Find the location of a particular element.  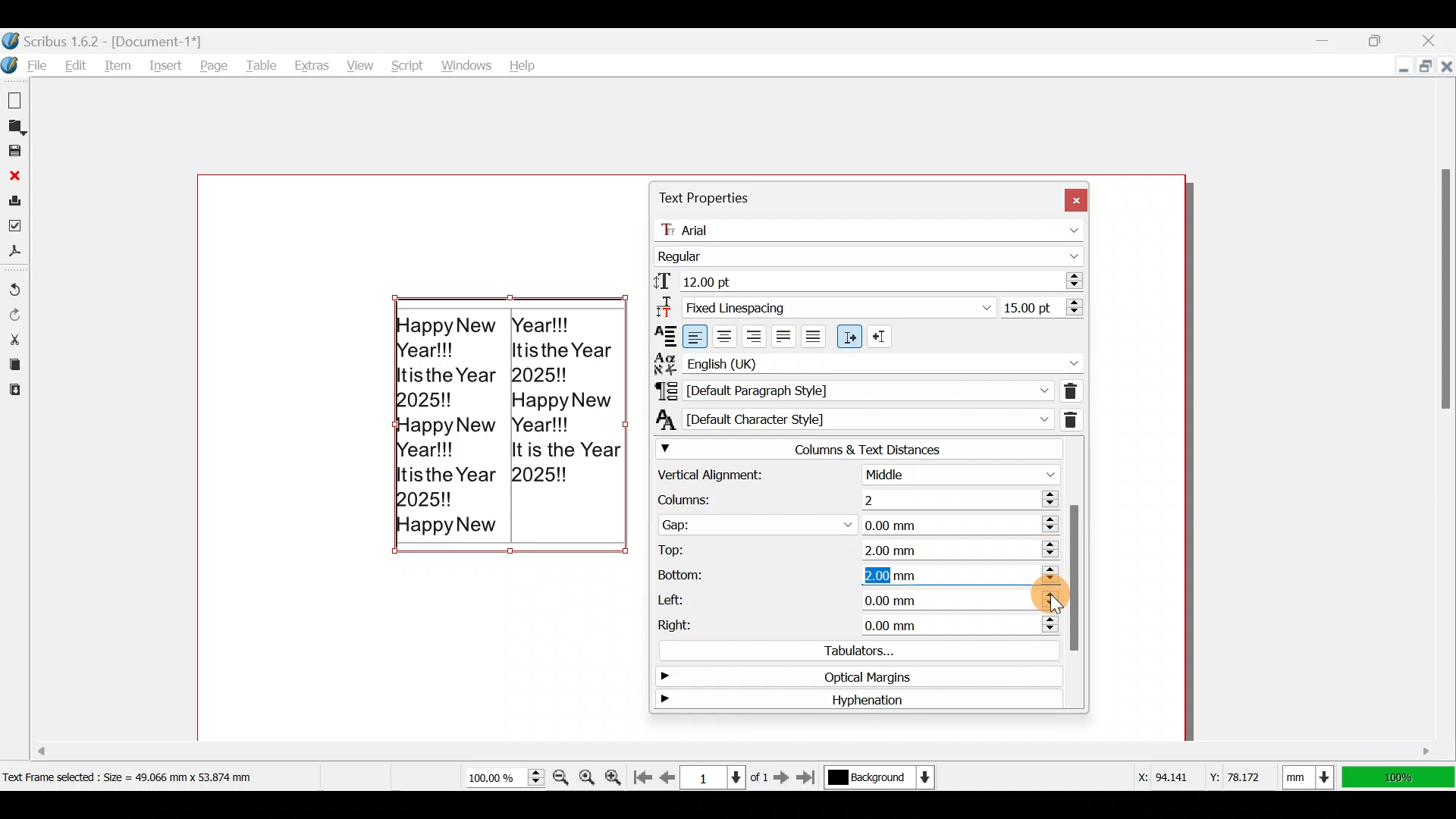

Script is located at coordinates (405, 61).